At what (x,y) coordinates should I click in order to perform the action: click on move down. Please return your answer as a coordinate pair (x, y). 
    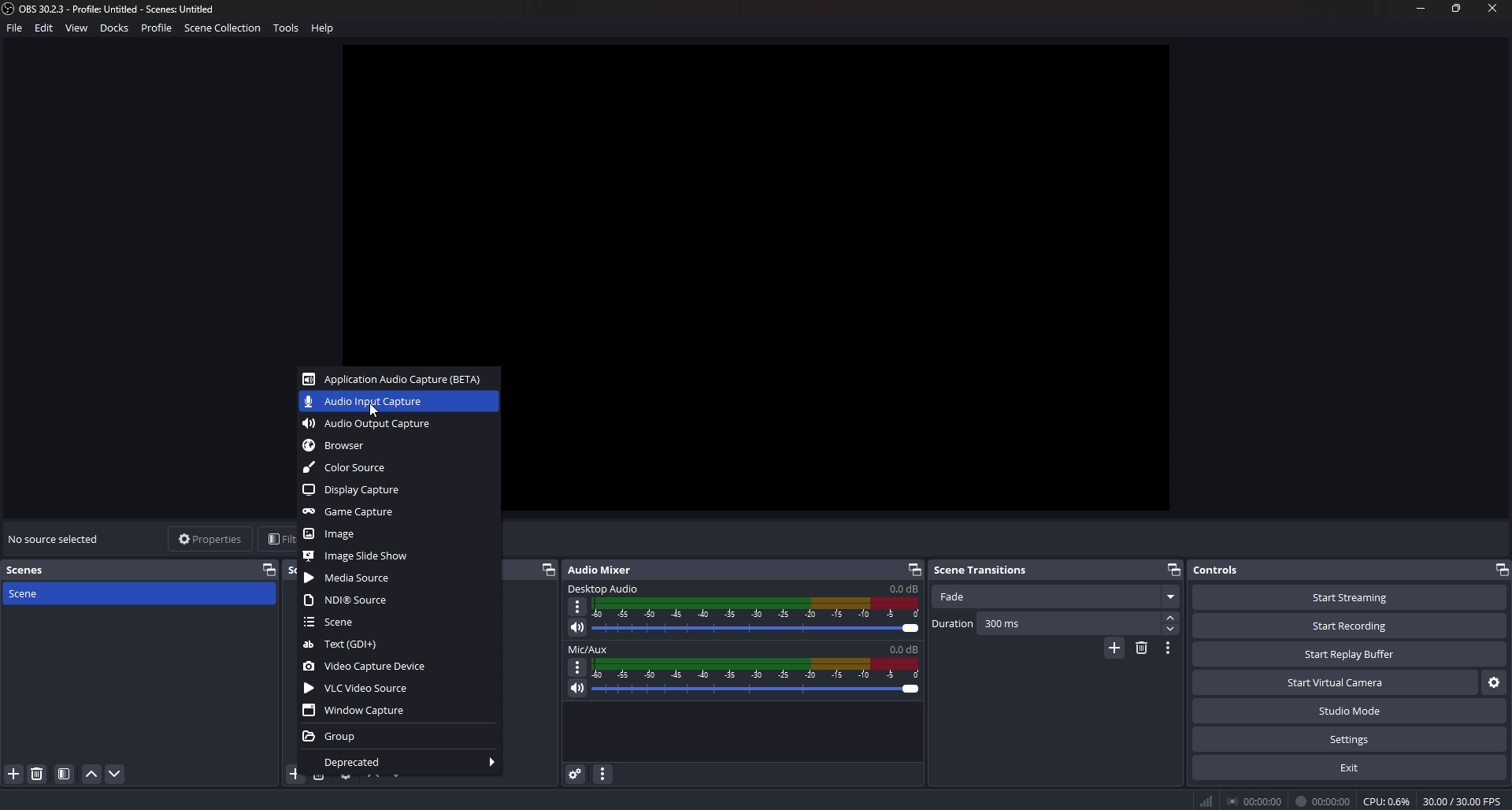
    Looking at the image, I should click on (118, 774).